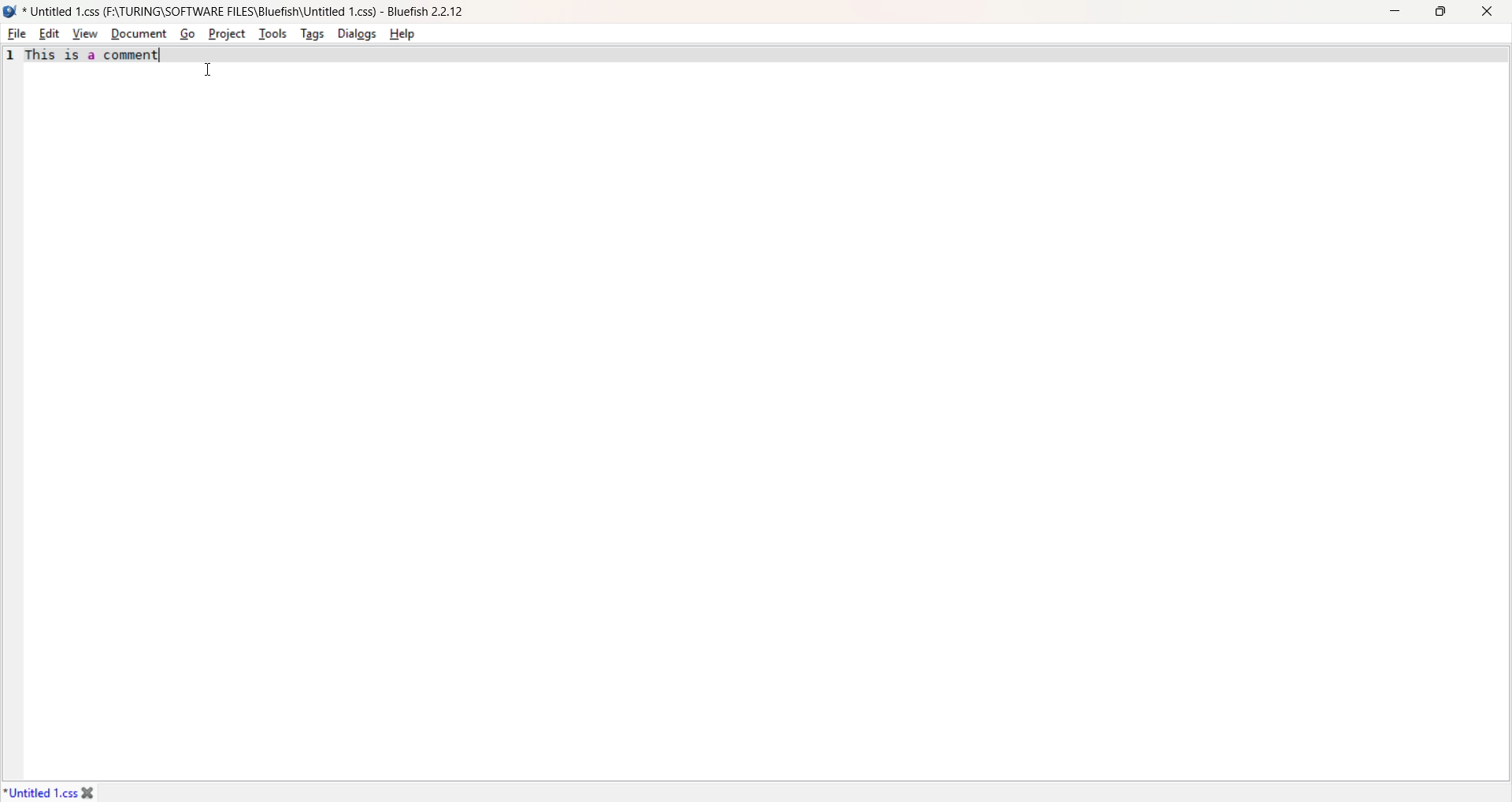 The width and height of the screenshot is (1512, 802). Describe the element at coordinates (412, 32) in the screenshot. I see `Help` at that location.